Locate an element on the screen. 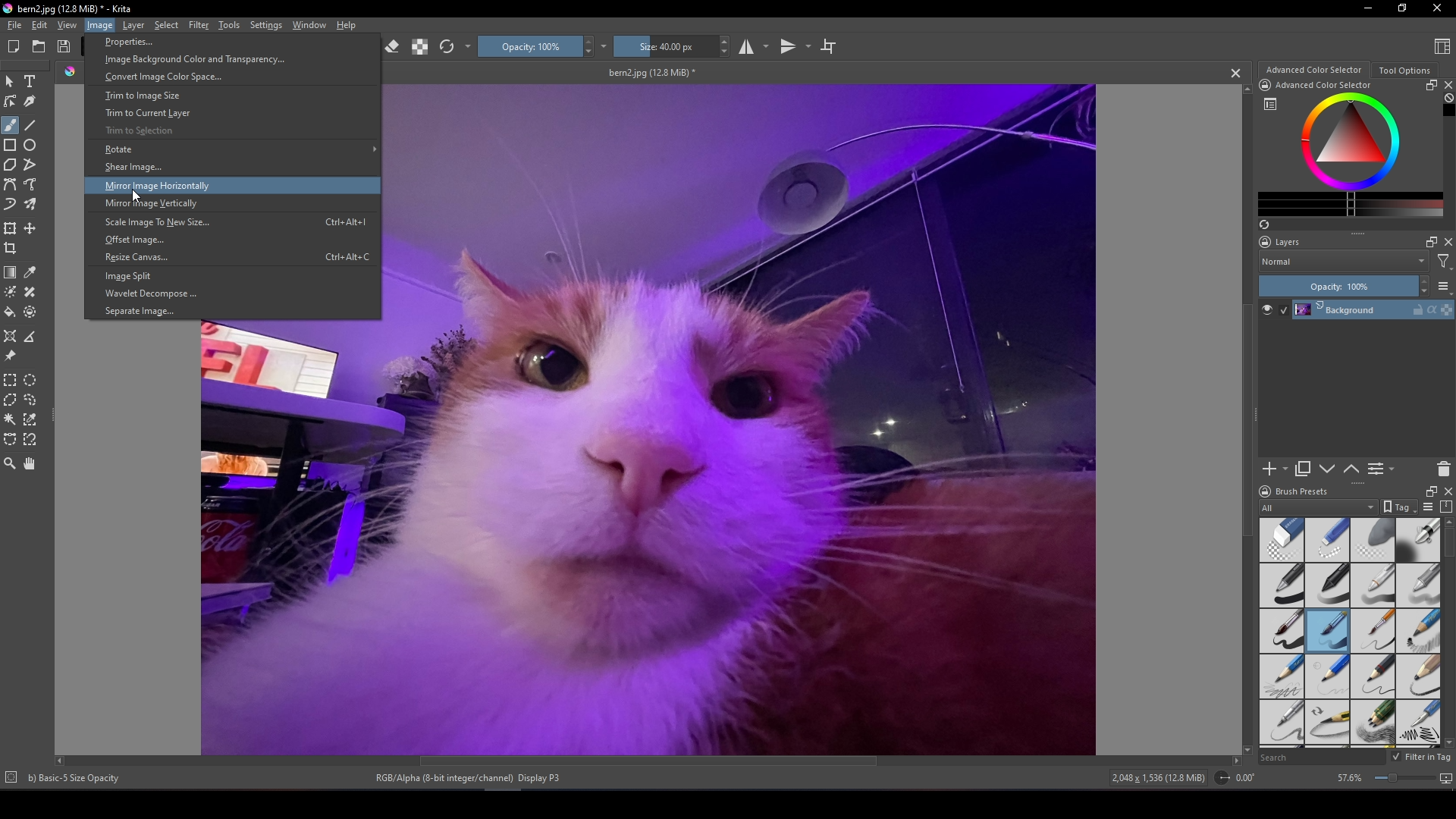 This screenshot has width=1456, height=819. Restore down is located at coordinates (1402, 9).